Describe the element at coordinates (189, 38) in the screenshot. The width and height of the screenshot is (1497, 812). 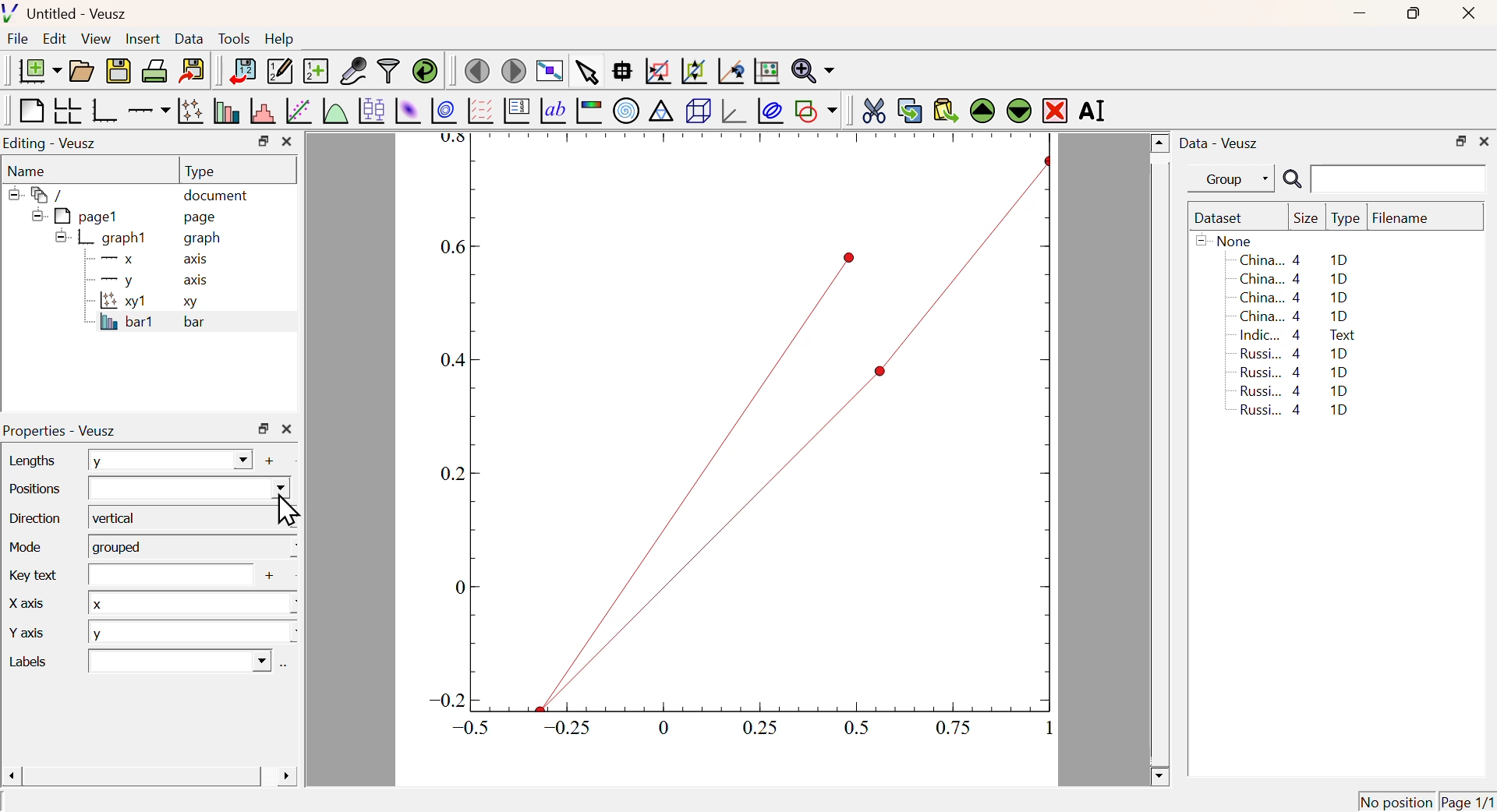
I see `Data` at that location.